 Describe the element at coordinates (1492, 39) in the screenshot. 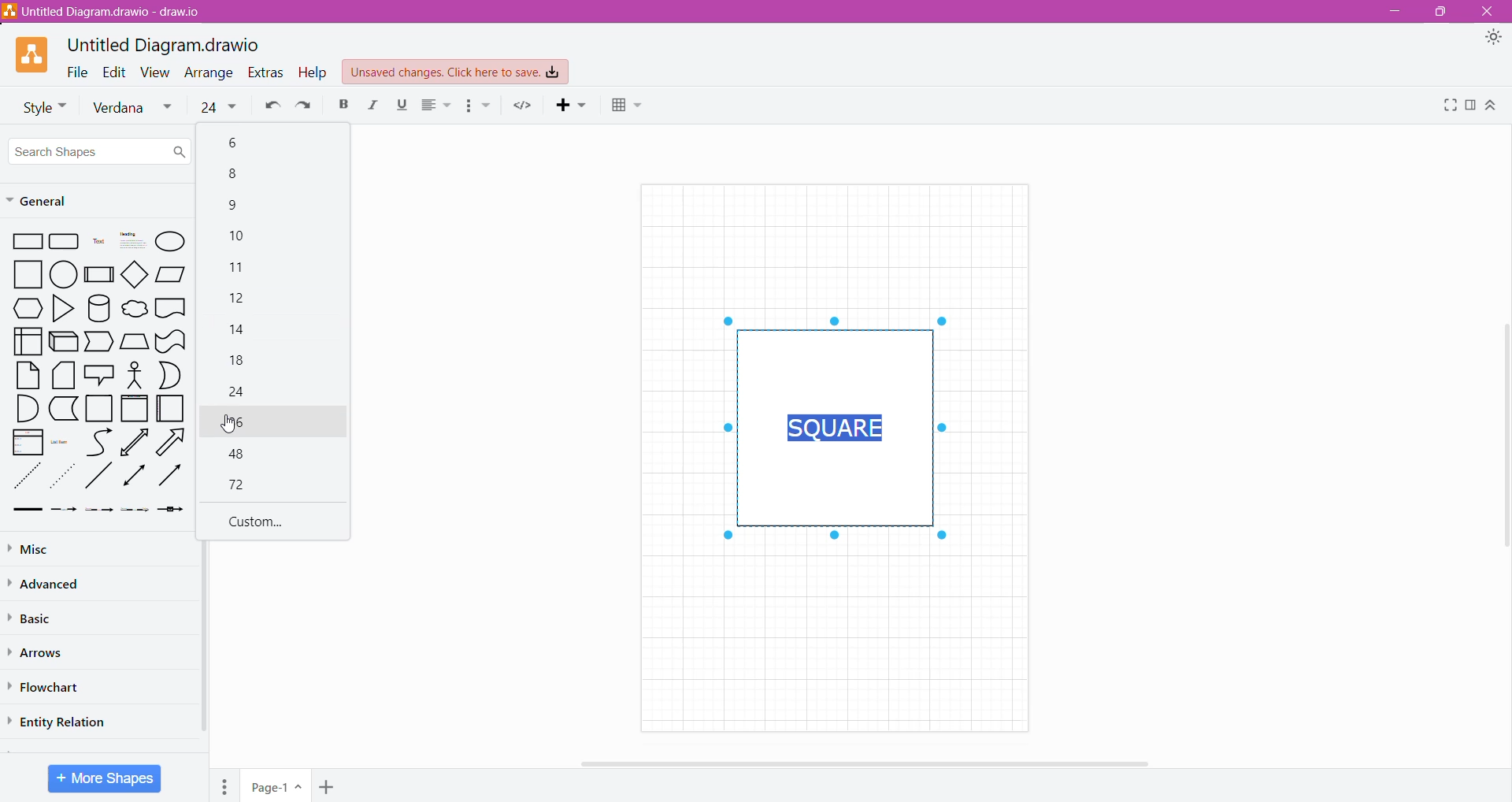

I see `Appearance` at that location.